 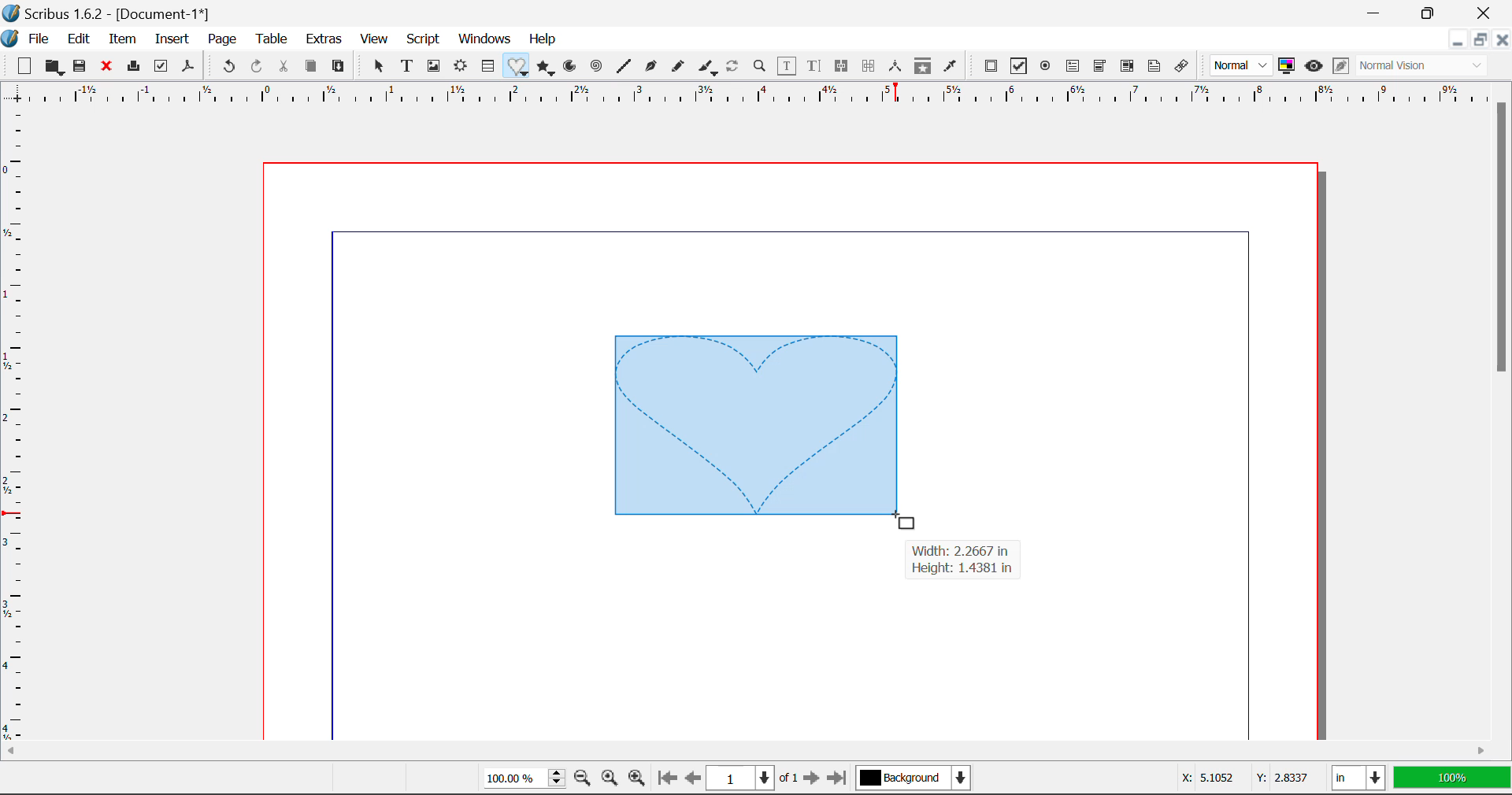 I want to click on Insert, so click(x=170, y=39).